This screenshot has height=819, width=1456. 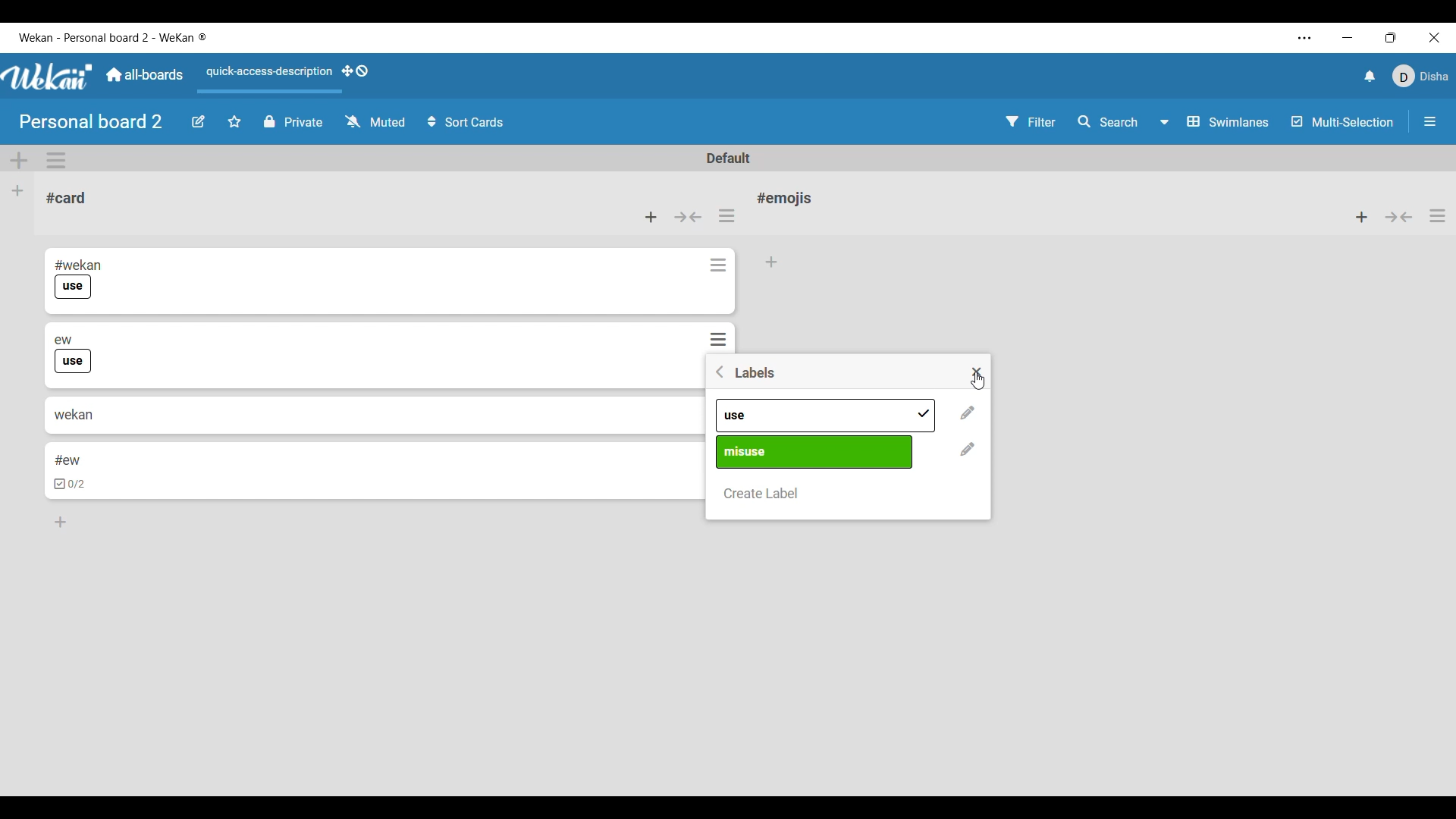 I want to click on Add card to top of list, so click(x=1361, y=217).